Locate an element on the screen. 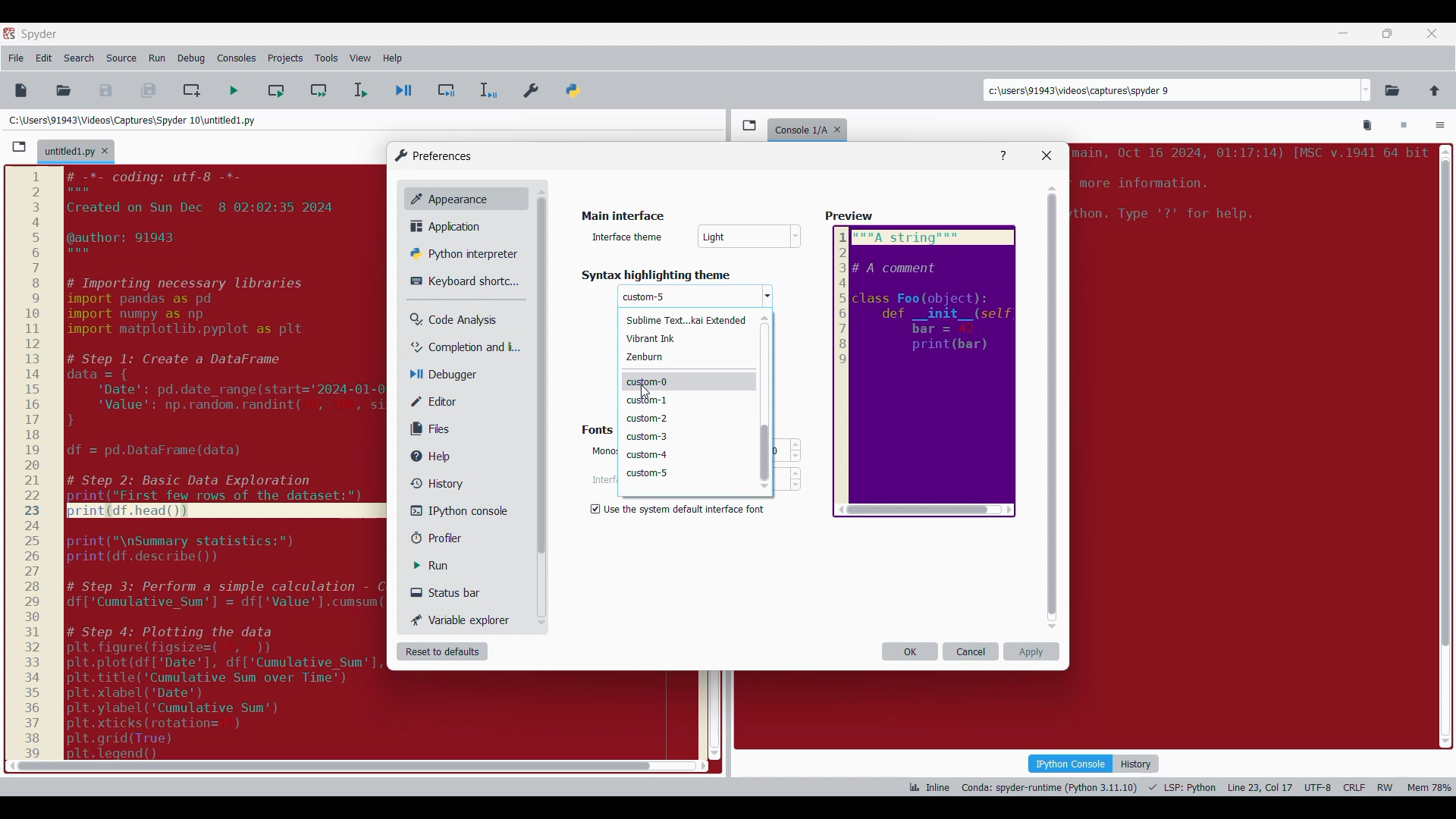 Image resolution: width=1456 pixels, height=819 pixels. Location options is located at coordinates (1367, 90).